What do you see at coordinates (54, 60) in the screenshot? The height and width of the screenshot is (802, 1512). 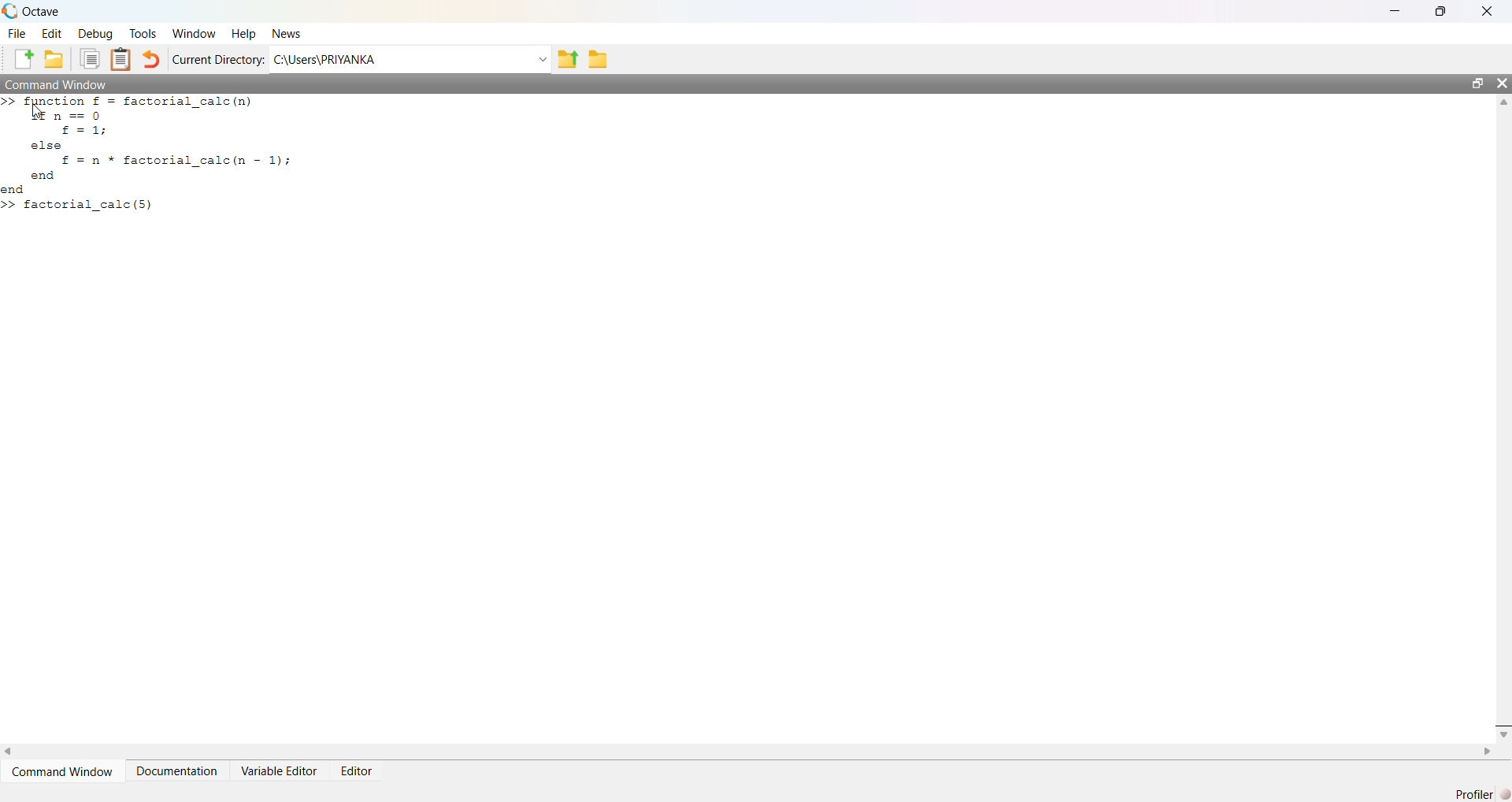 I see `add folder` at bounding box center [54, 60].